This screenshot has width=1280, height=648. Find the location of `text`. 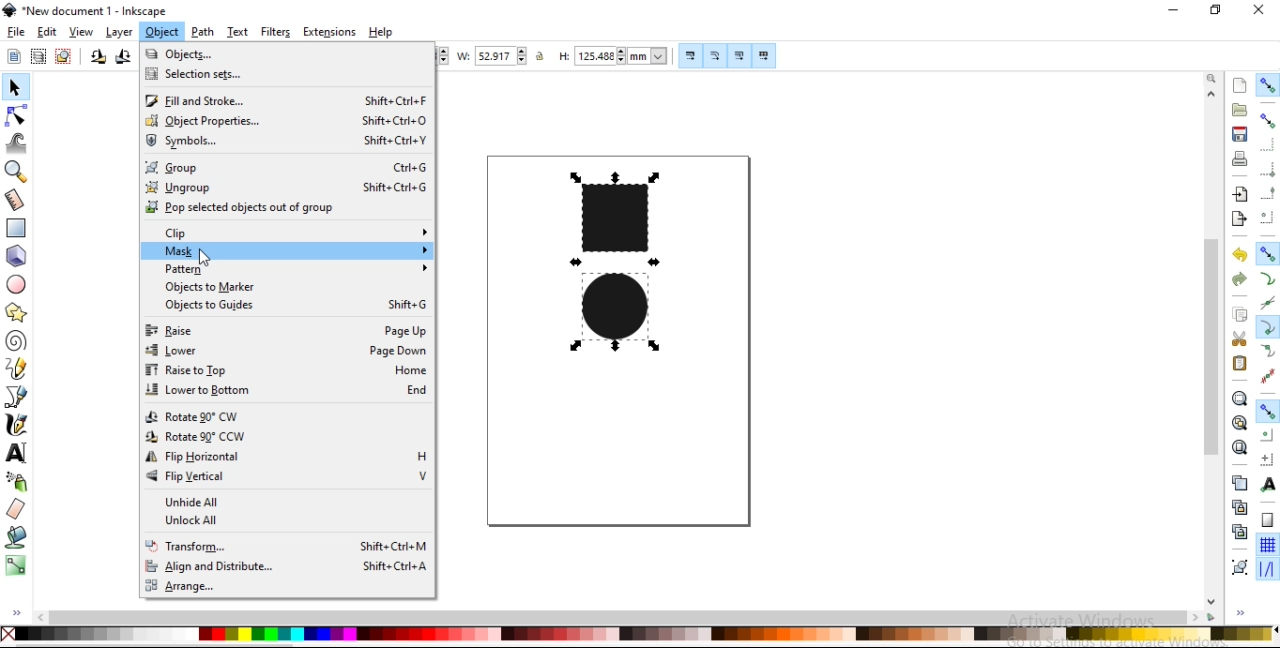

text is located at coordinates (239, 31).